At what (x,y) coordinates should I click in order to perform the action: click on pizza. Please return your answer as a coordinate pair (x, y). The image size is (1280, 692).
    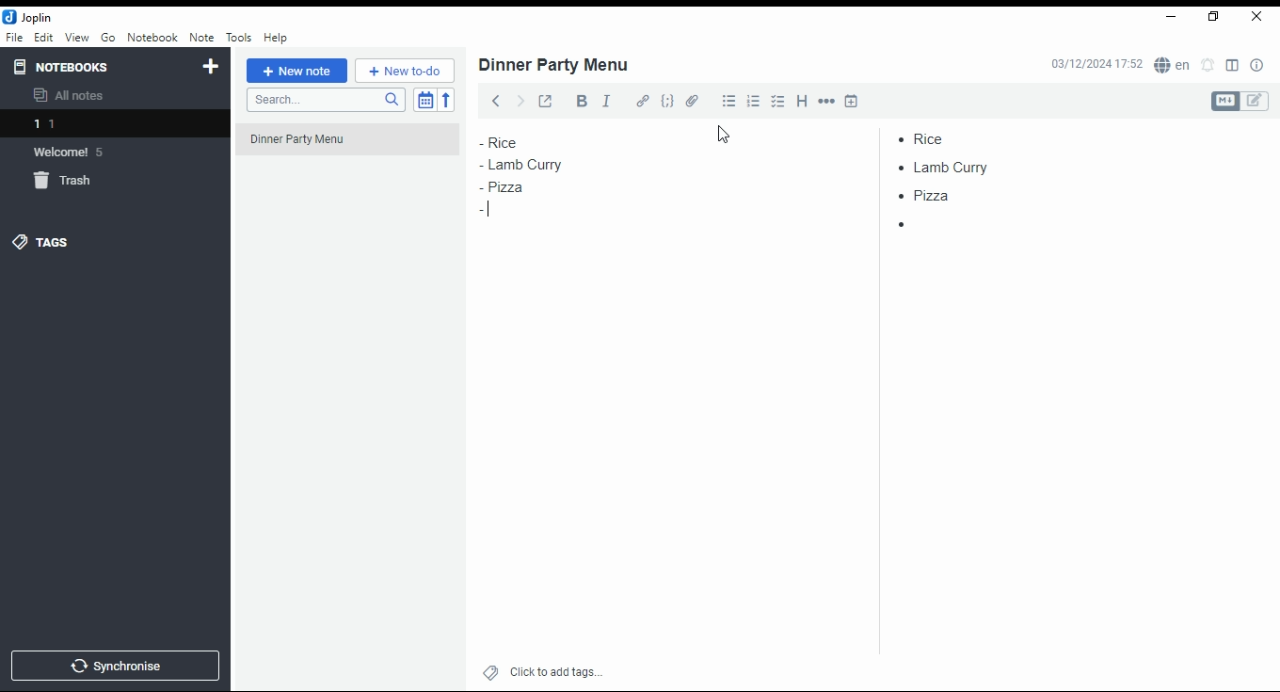
    Looking at the image, I should click on (928, 199).